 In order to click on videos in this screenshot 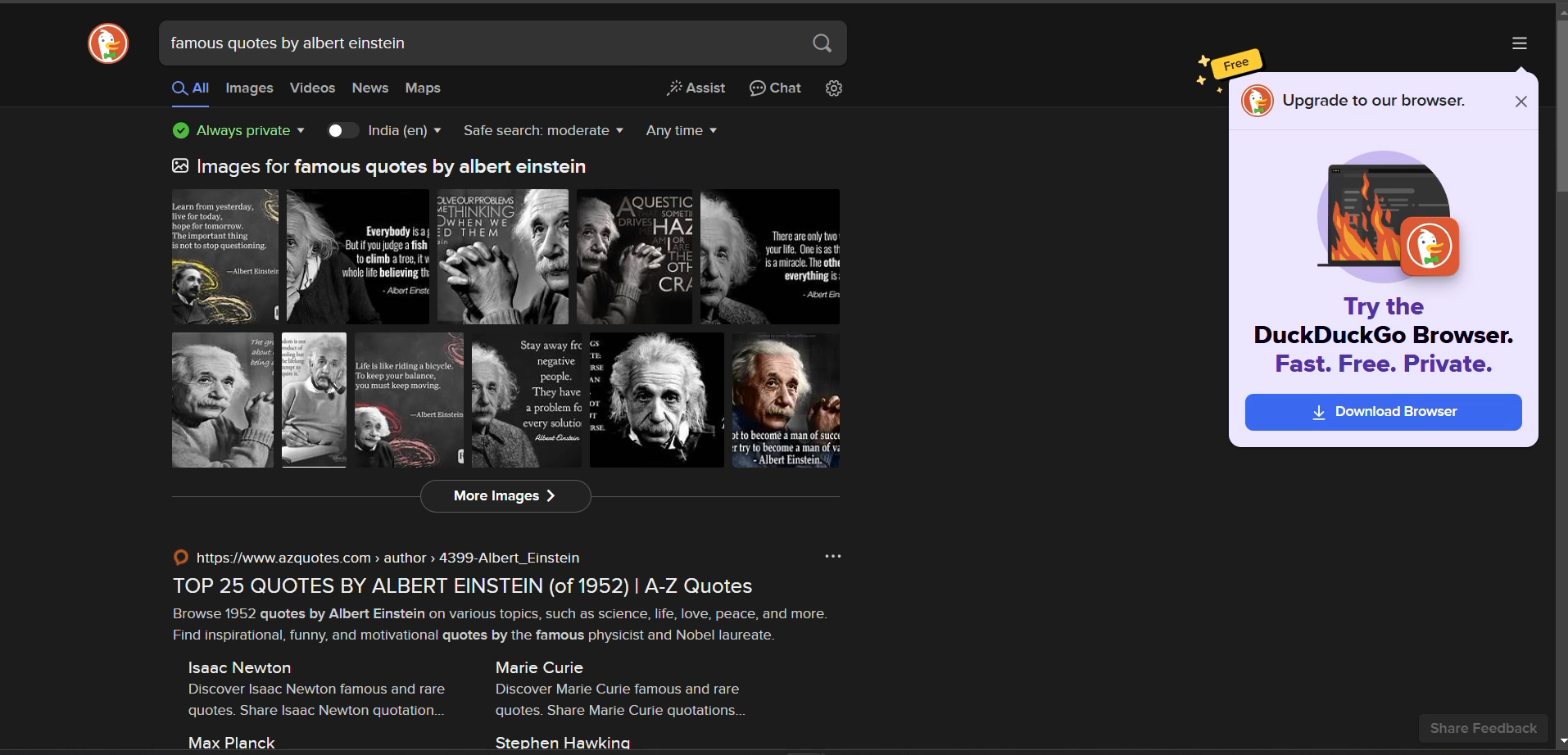, I will do `click(313, 89)`.